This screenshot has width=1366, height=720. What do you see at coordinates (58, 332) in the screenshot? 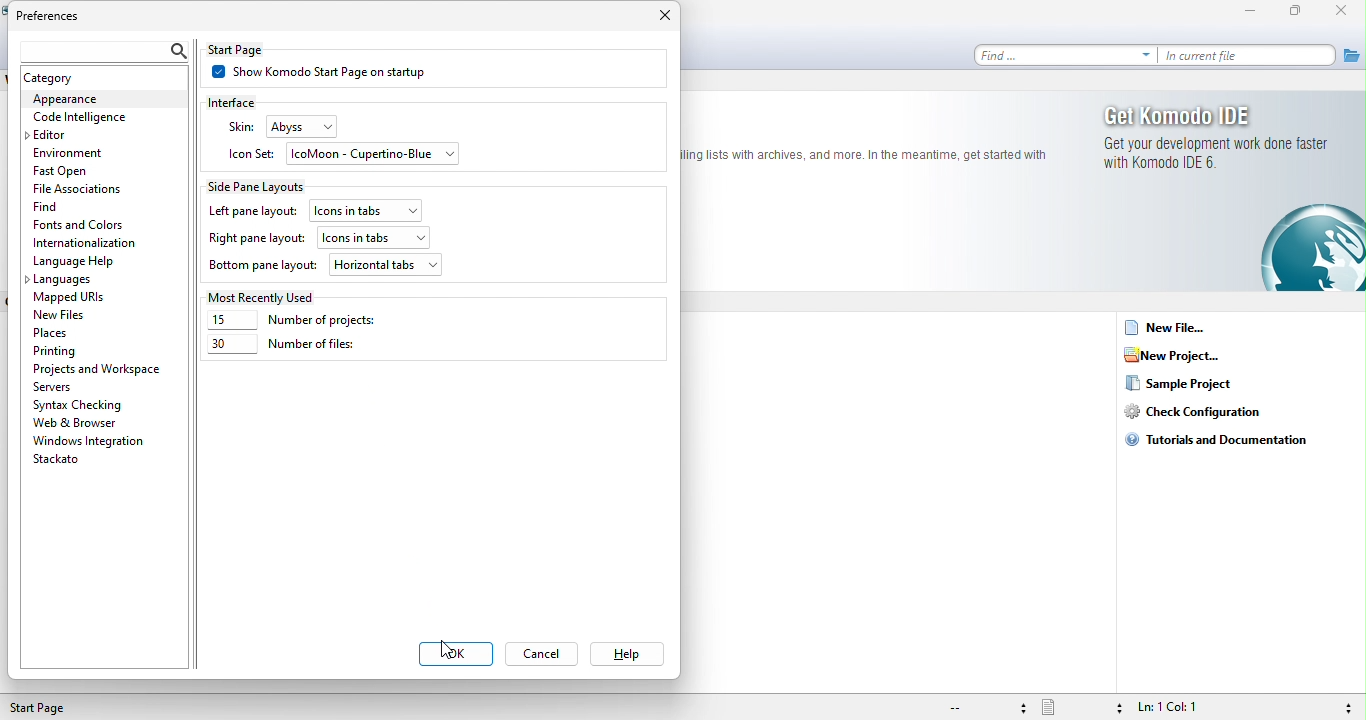
I see `places` at bounding box center [58, 332].